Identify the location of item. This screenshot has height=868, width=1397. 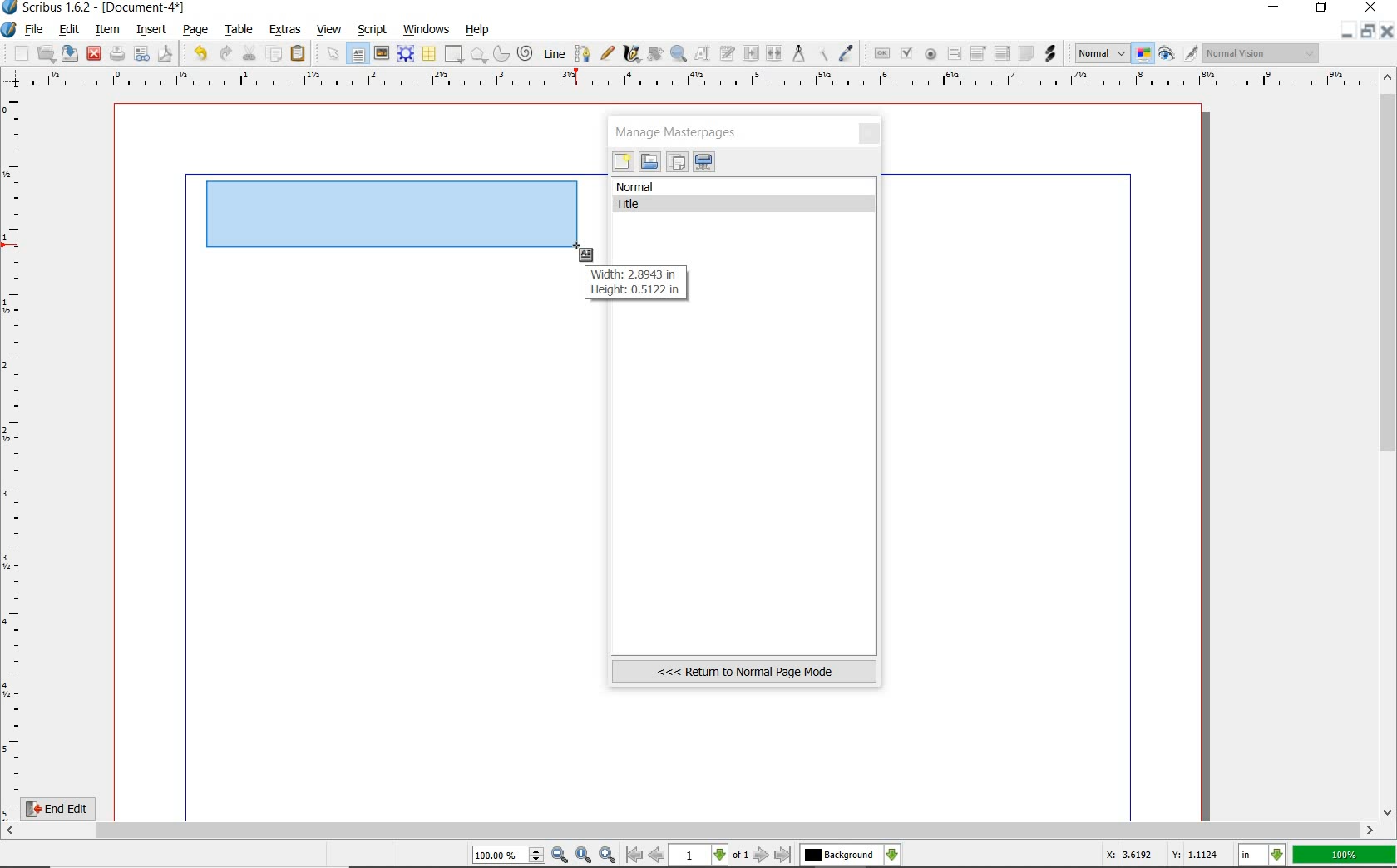
(108, 31).